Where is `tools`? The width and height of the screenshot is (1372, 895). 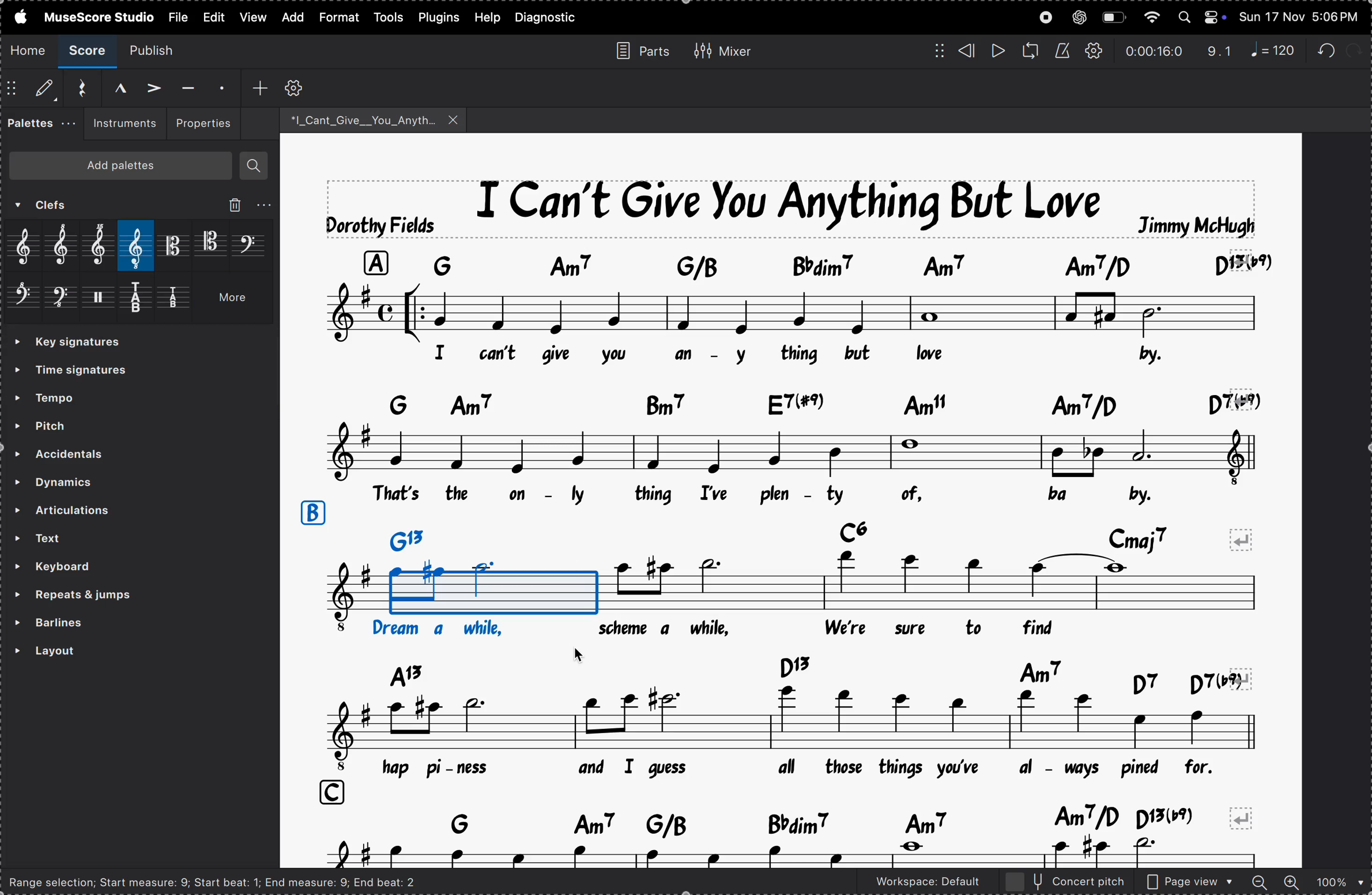
tools is located at coordinates (390, 17).